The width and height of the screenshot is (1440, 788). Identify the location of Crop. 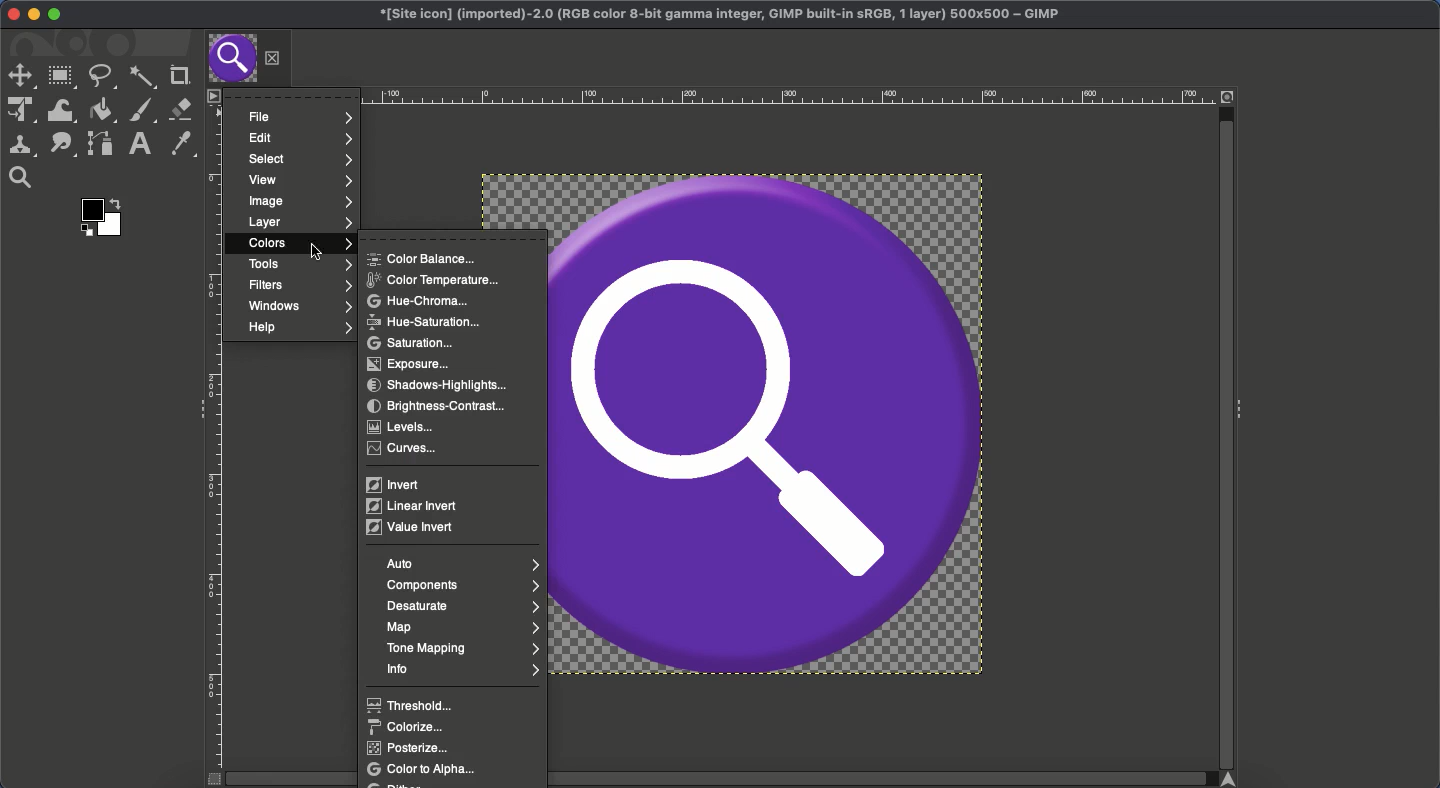
(179, 73).